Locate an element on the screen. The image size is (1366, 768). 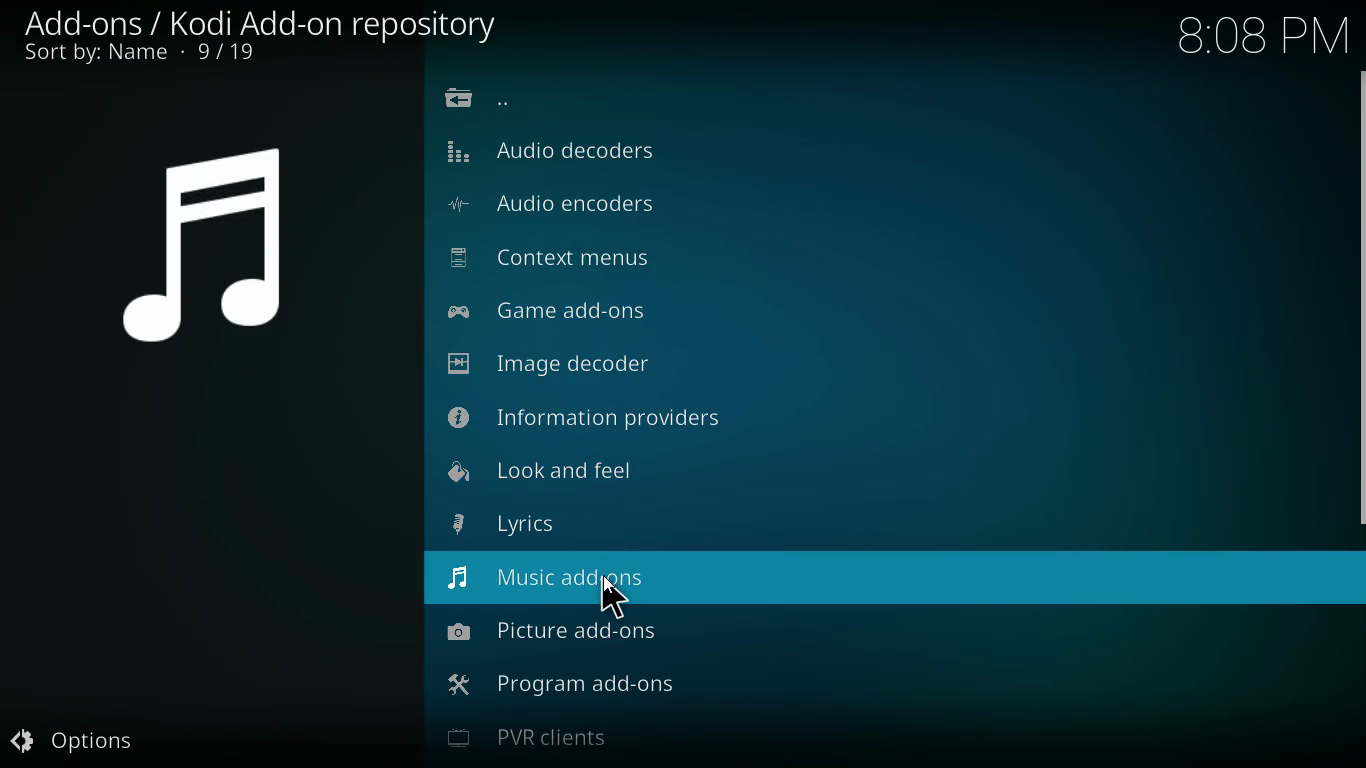
Image Decoder is located at coordinates (559, 363).